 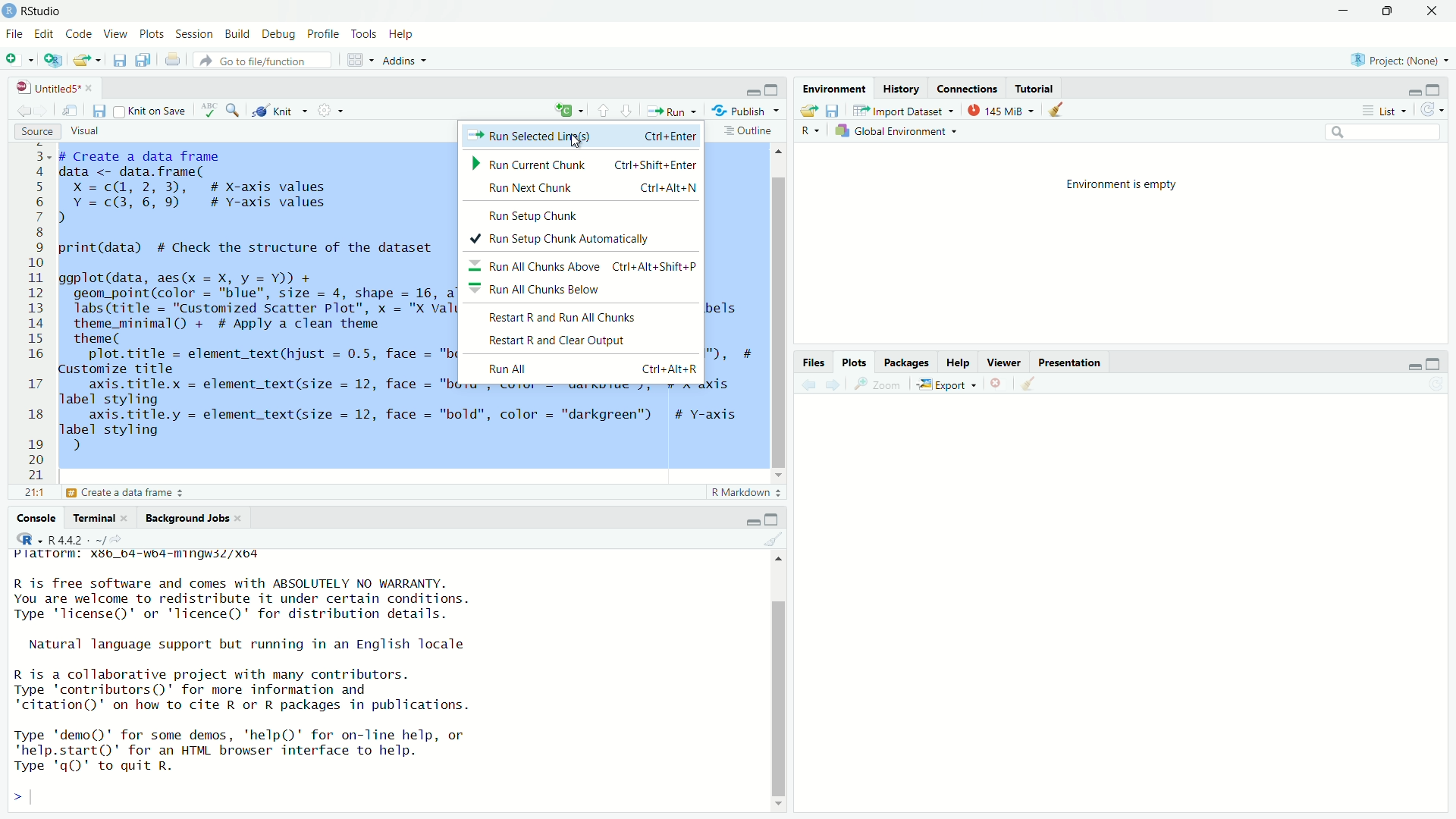 I want to click on Restart R and Clear Output, so click(x=553, y=340).